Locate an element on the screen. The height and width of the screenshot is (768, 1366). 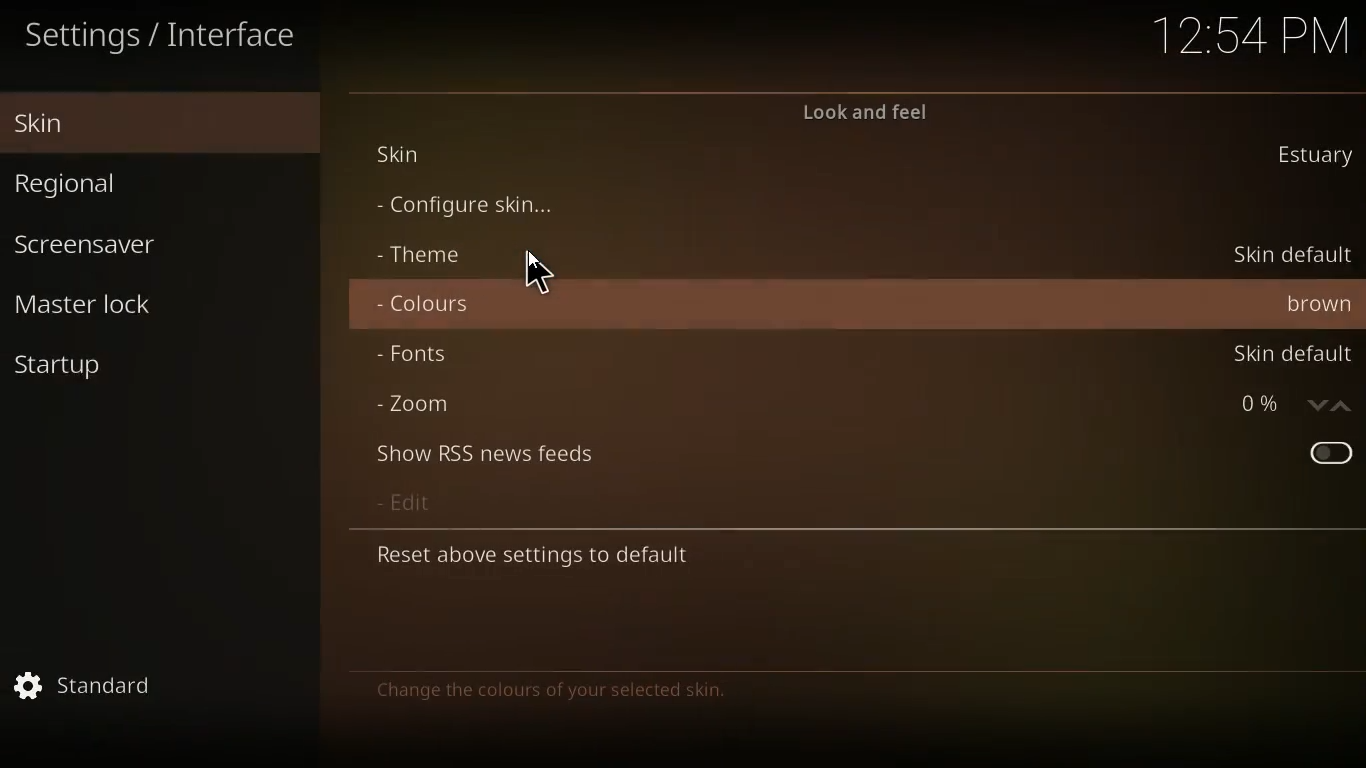
brown is located at coordinates (1316, 306).